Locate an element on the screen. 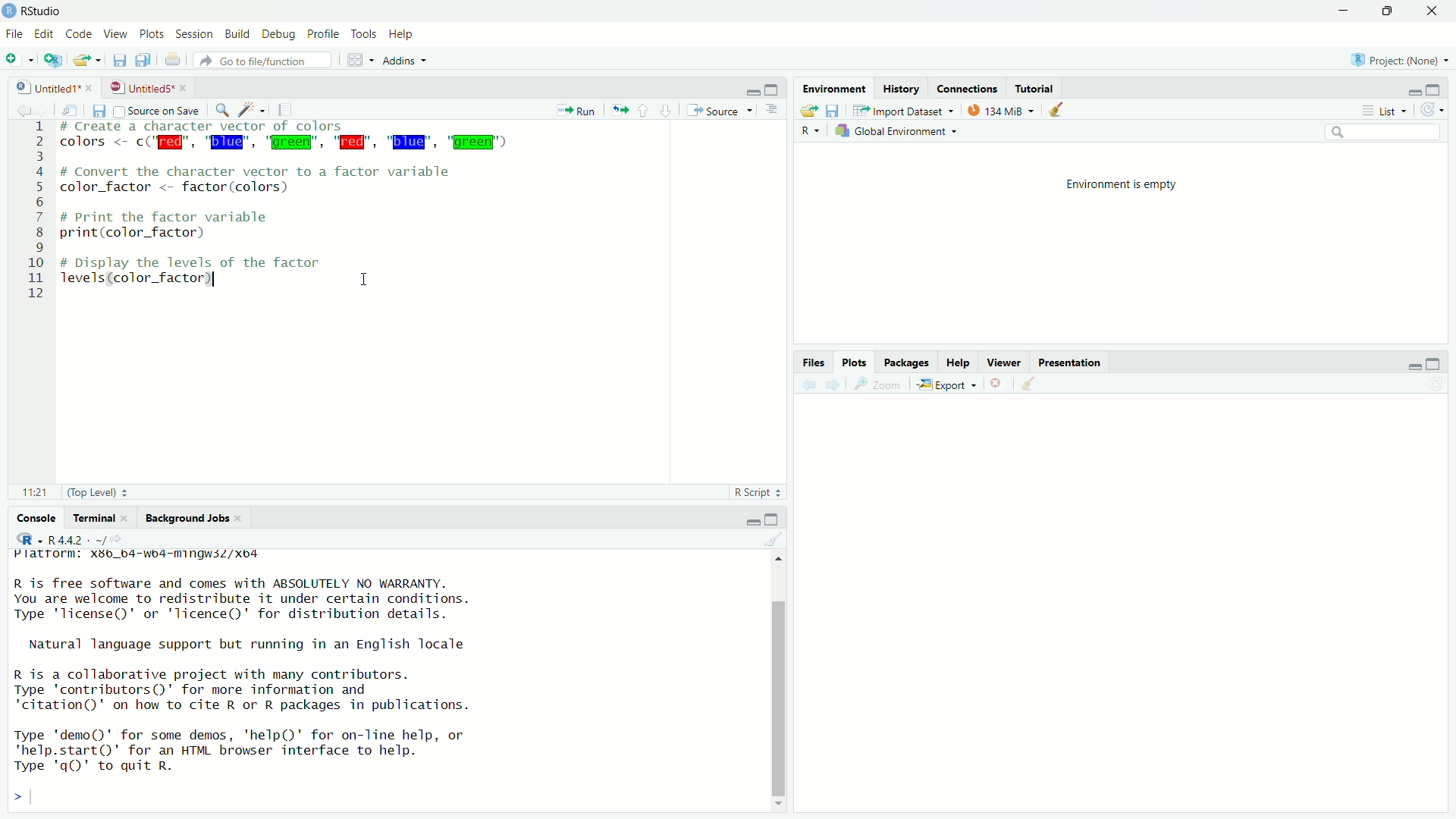 The width and height of the screenshot is (1456, 819). r script is located at coordinates (758, 492).